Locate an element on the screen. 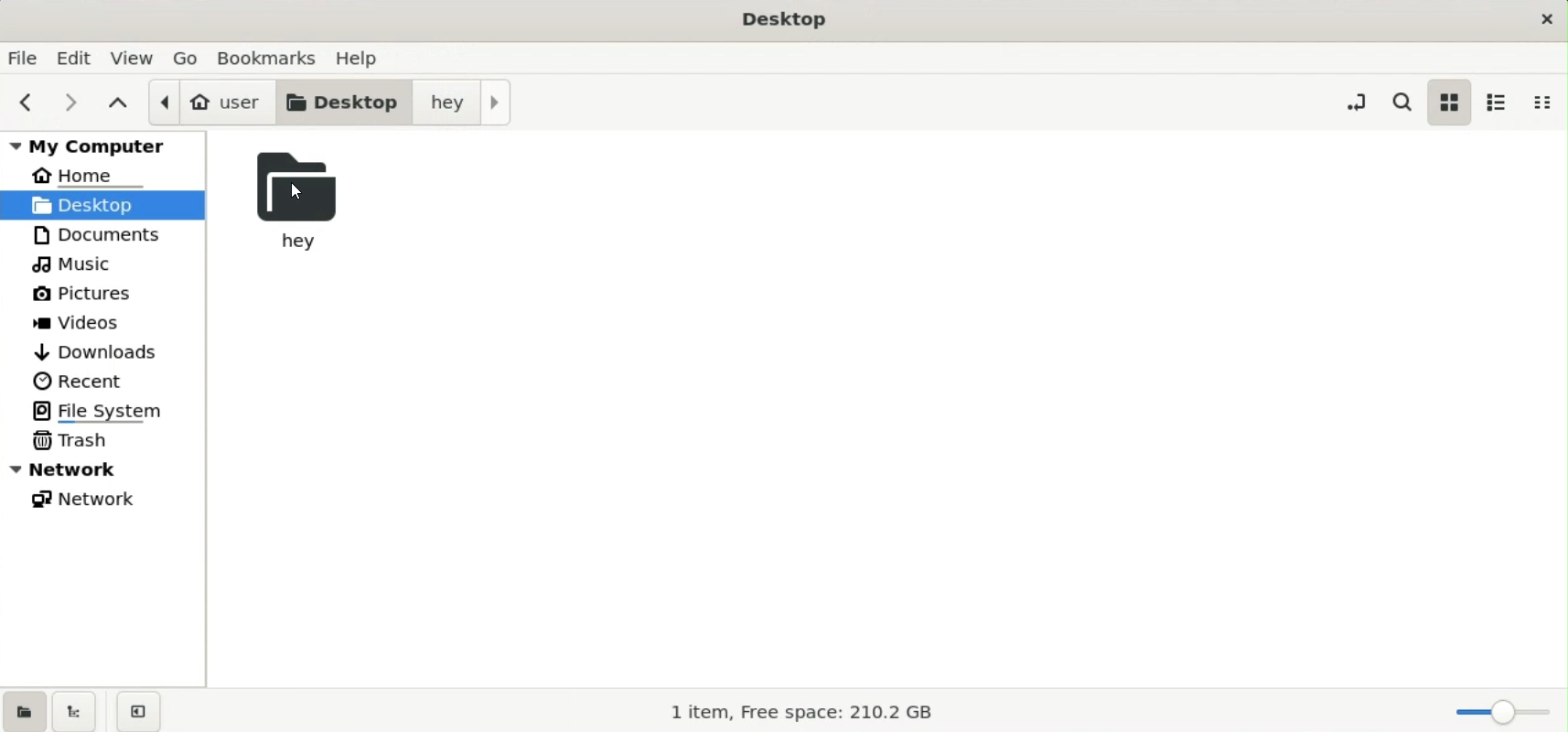 This screenshot has height=732, width=1568. desktop is located at coordinates (102, 204).